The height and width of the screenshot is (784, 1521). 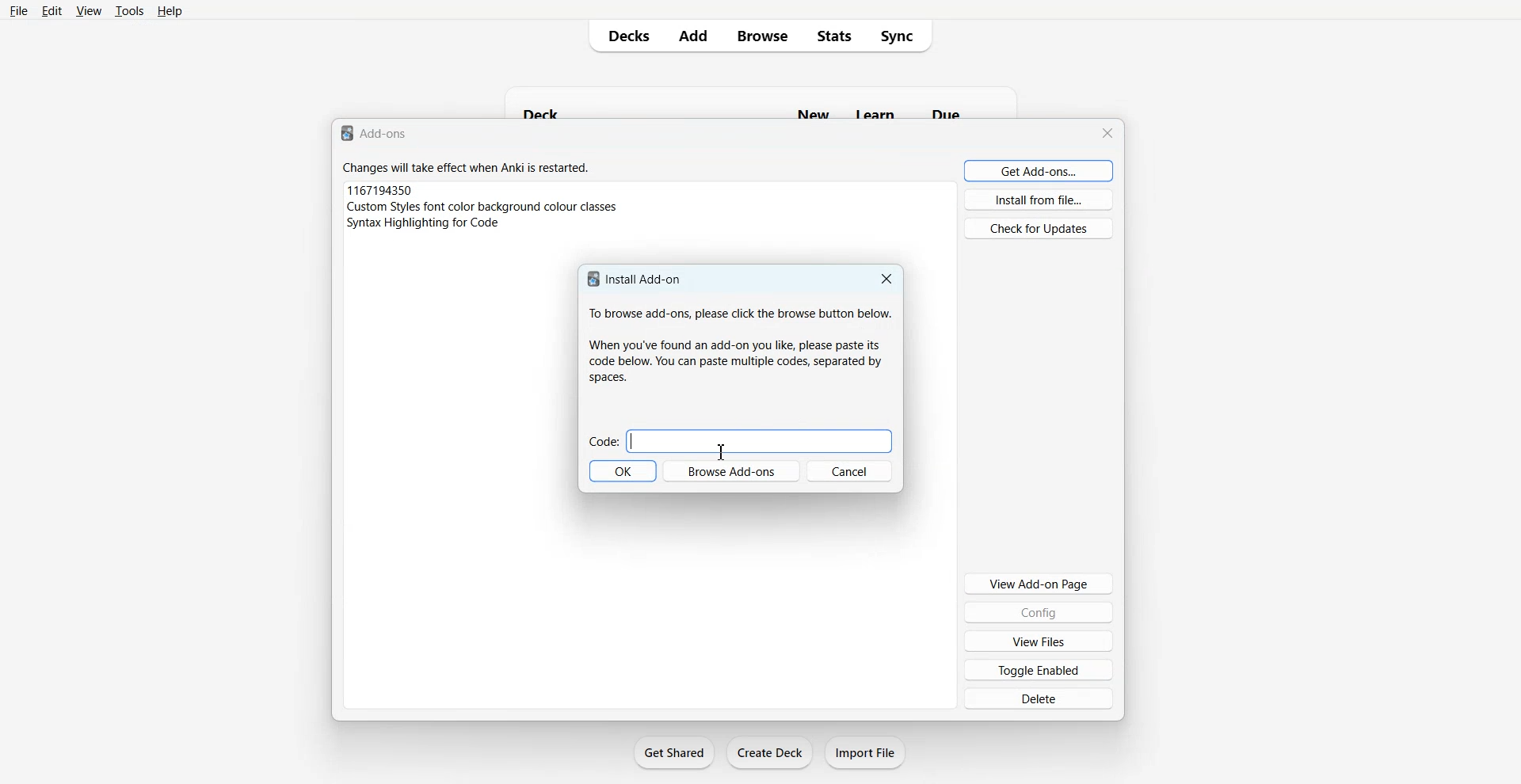 I want to click on Syntax Highlighting for Code, so click(x=424, y=222).